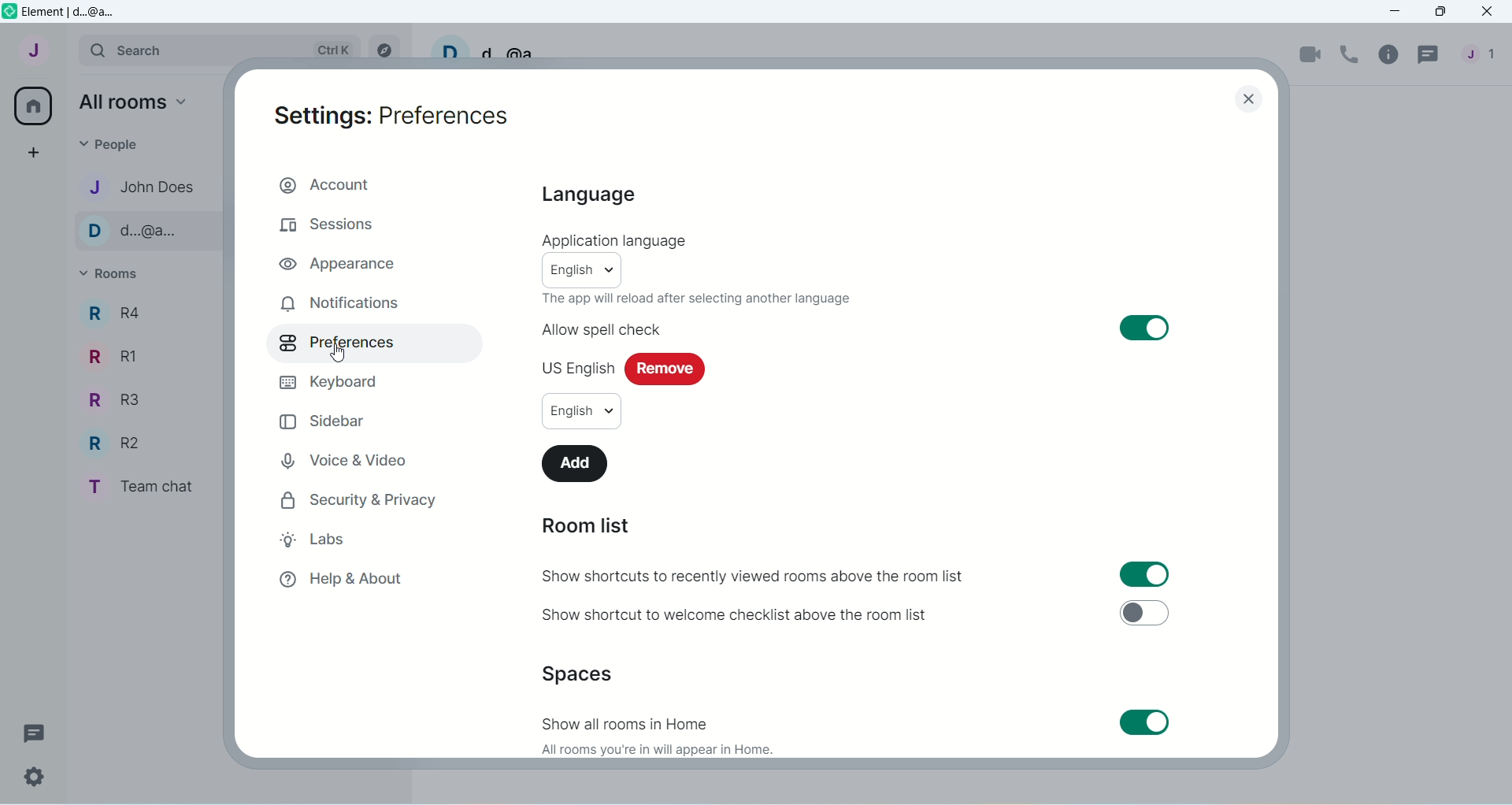 The image size is (1512, 805). Describe the element at coordinates (36, 775) in the screenshot. I see `Quick settings` at that location.